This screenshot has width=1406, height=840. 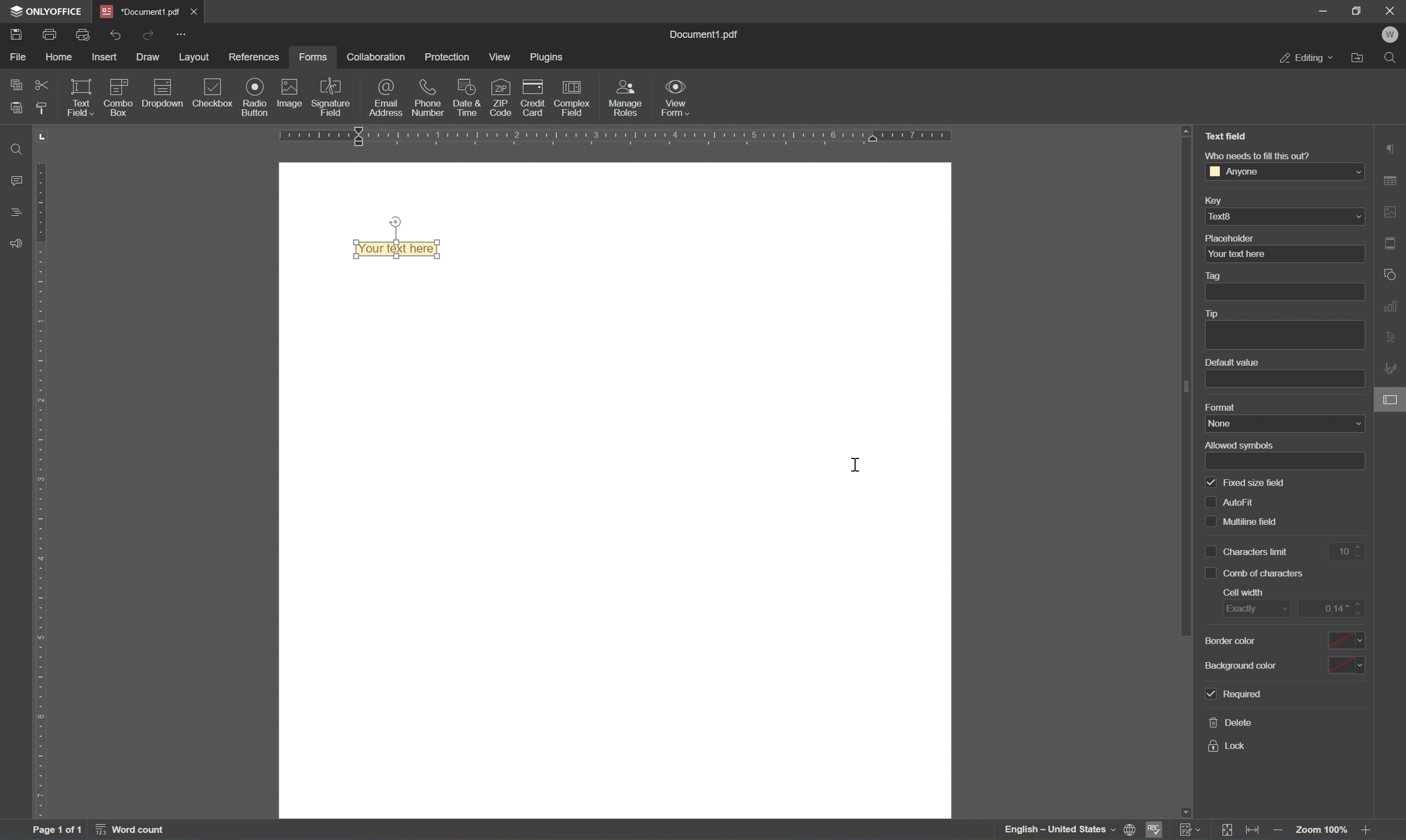 What do you see at coordinates (20, 148) in the screenshot?
I see `find` at bounding box center [20, 148].